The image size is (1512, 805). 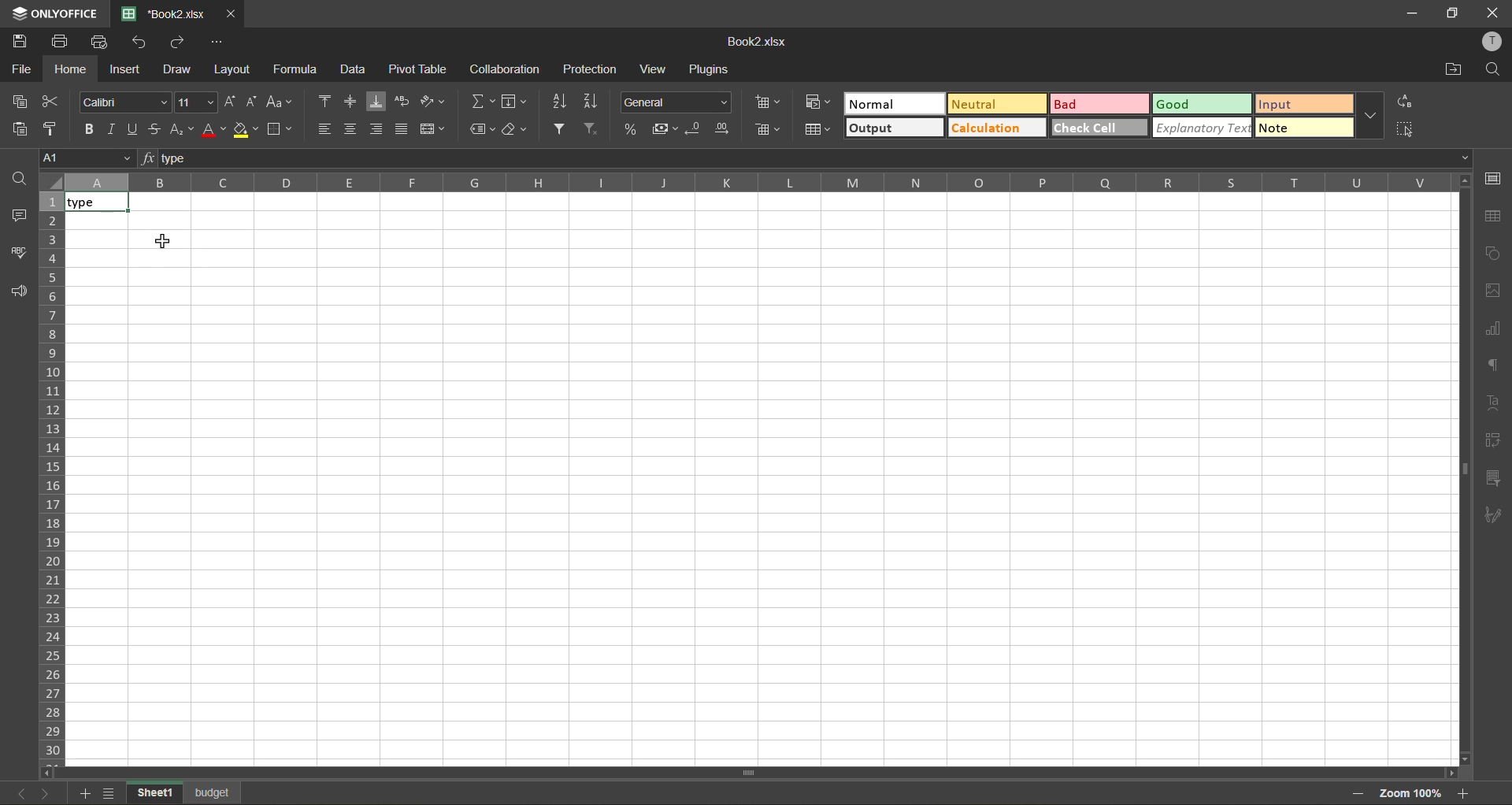 I want to click on copy style, so click(x=53, y=129).